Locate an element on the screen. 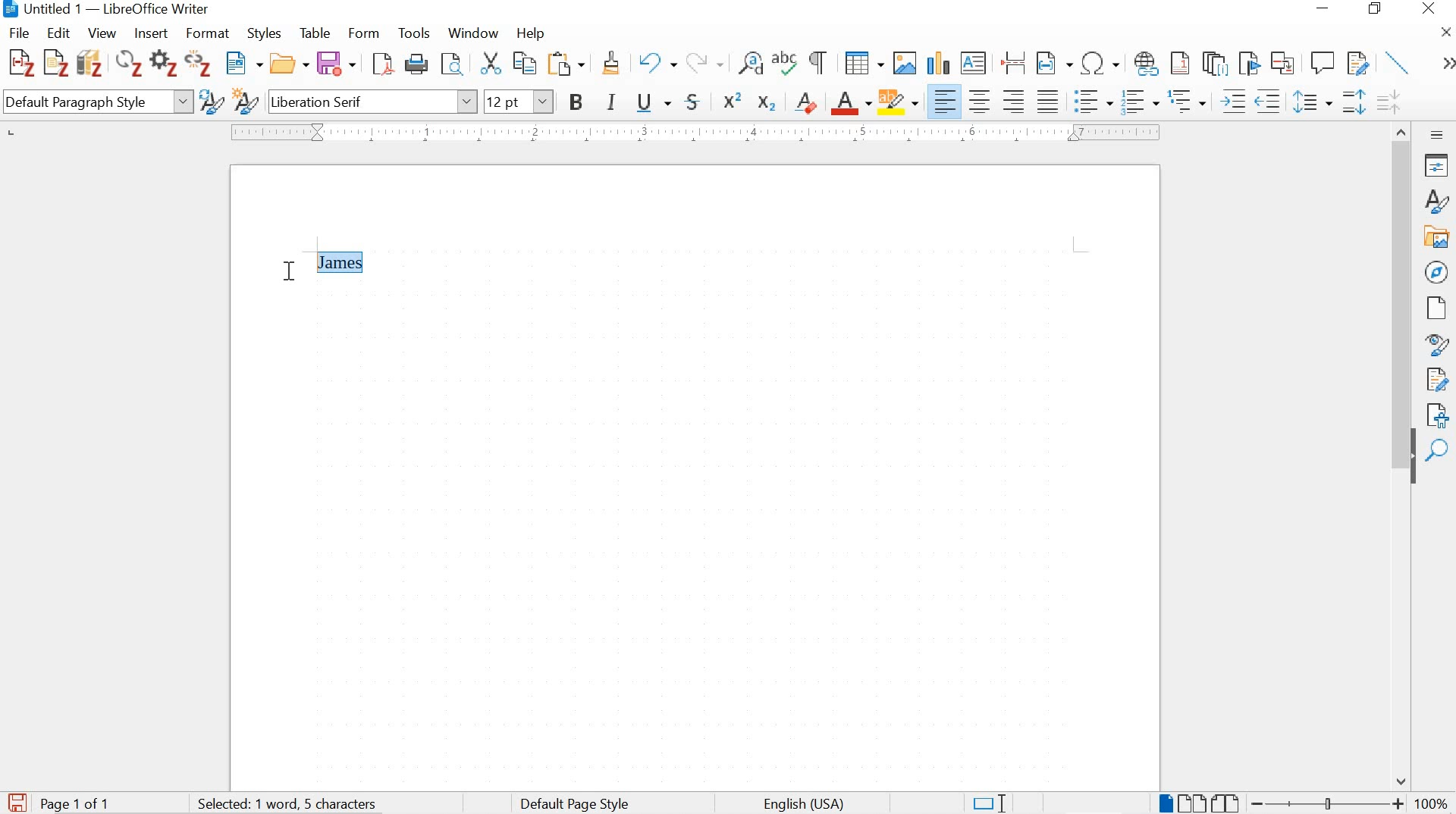  zoom factor-100% is located at coordinates (1432, 803).